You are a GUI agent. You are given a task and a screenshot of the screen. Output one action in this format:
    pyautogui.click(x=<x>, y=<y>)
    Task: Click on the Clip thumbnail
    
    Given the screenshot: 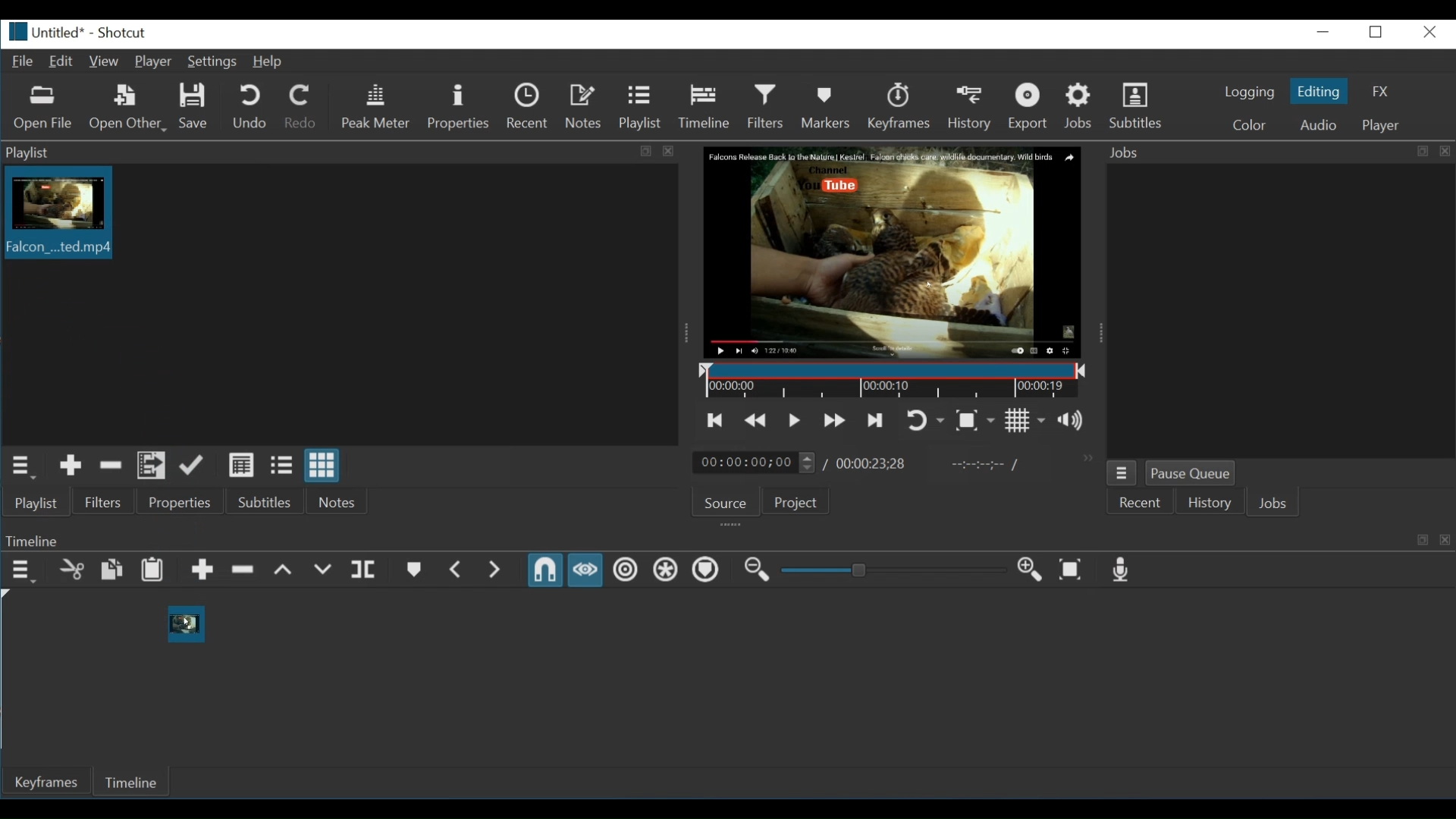 What is the action you would take?
    pyautogui.click(x=57, y=212)
    